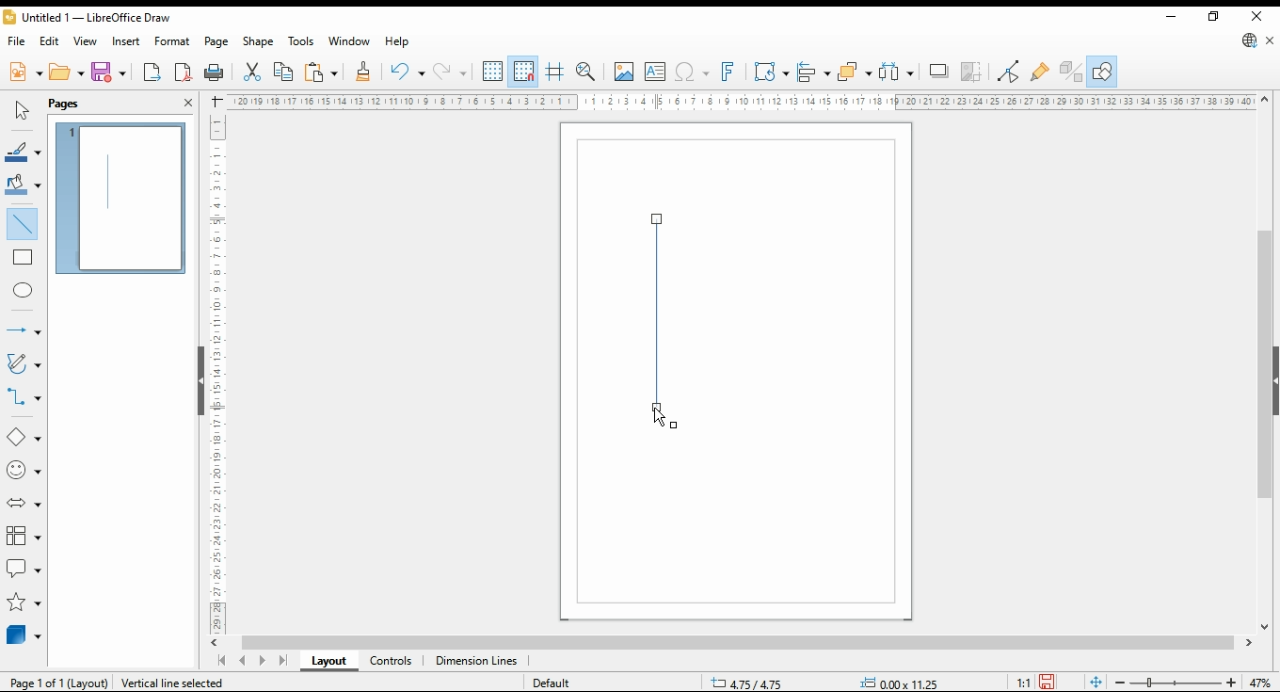 This screenshot has height=692, width=1280. I want to click on insert line, so click(22, 222).